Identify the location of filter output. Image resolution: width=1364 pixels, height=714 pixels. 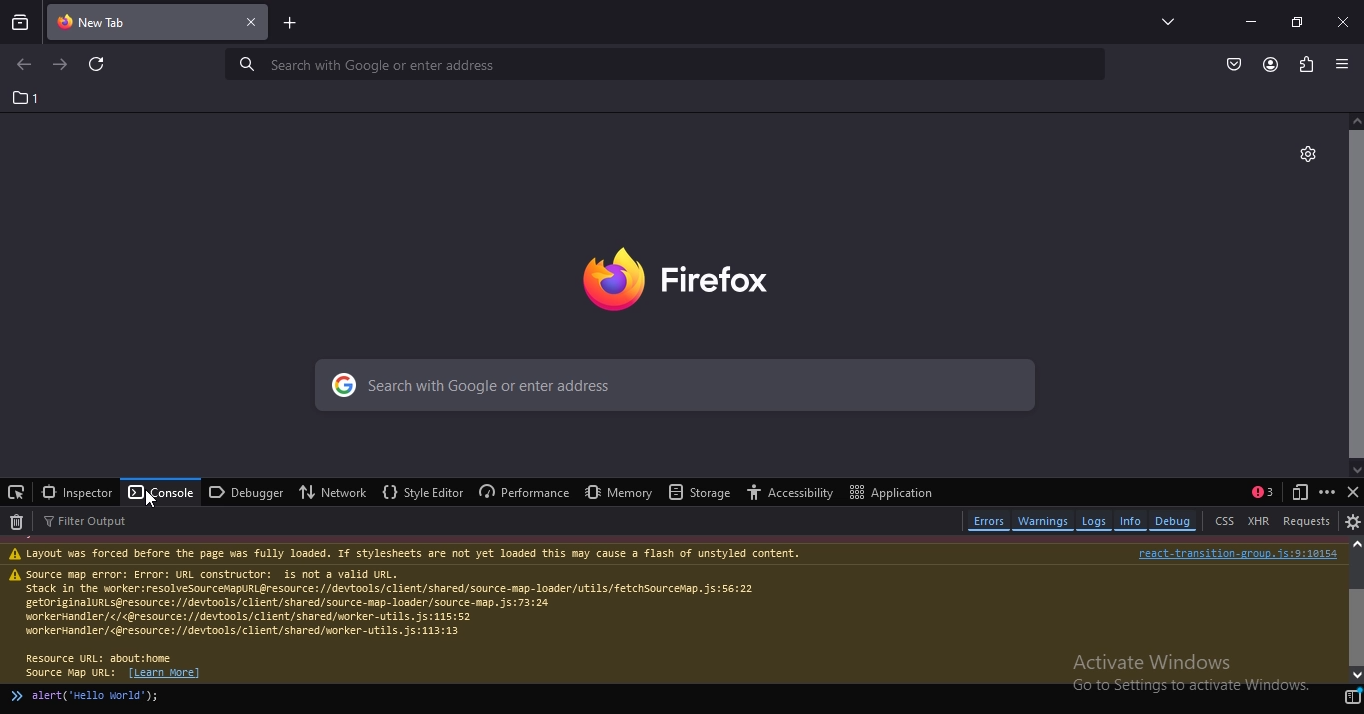
(95, 522).